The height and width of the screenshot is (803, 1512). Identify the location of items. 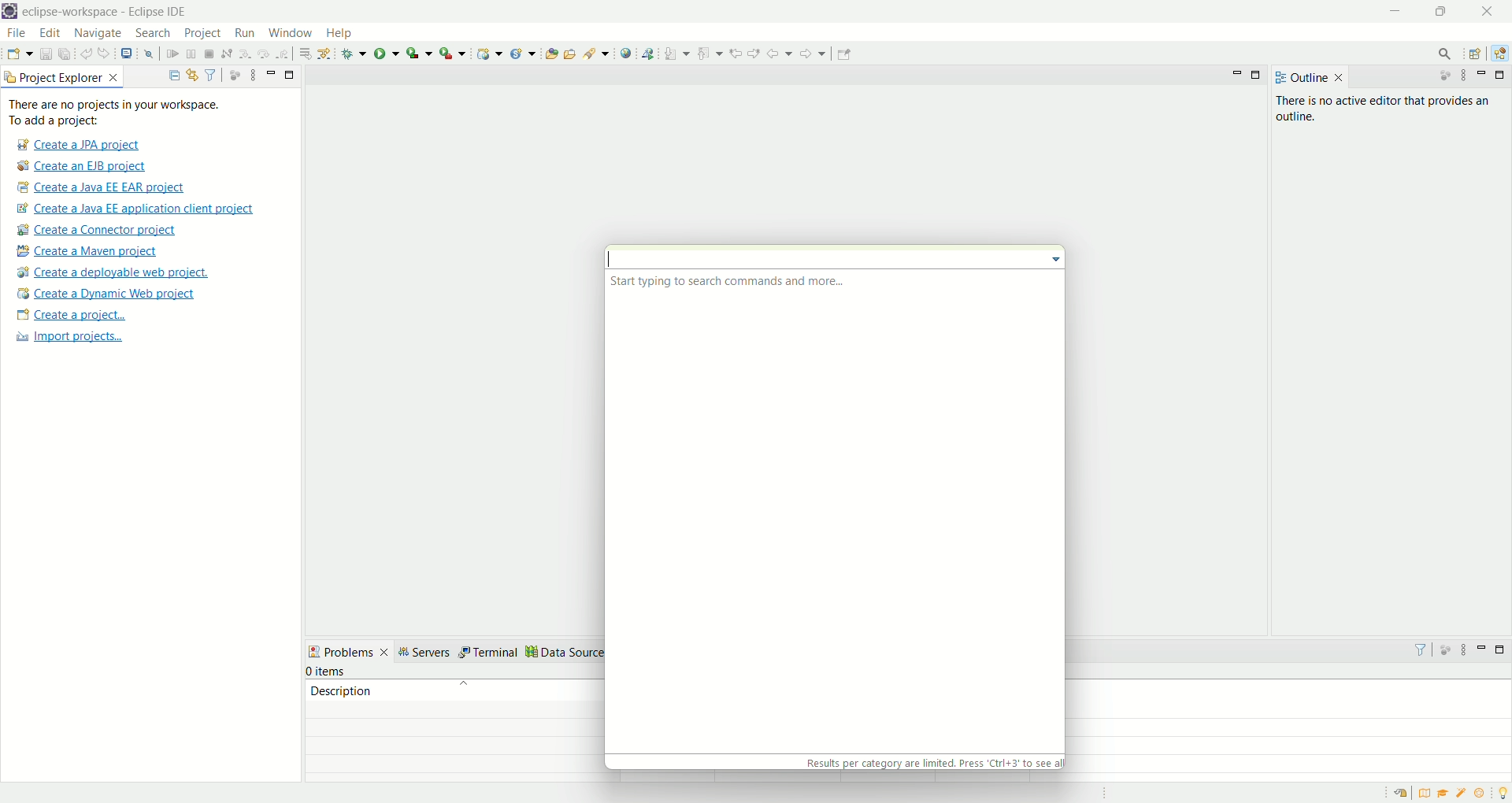
(327, 671).